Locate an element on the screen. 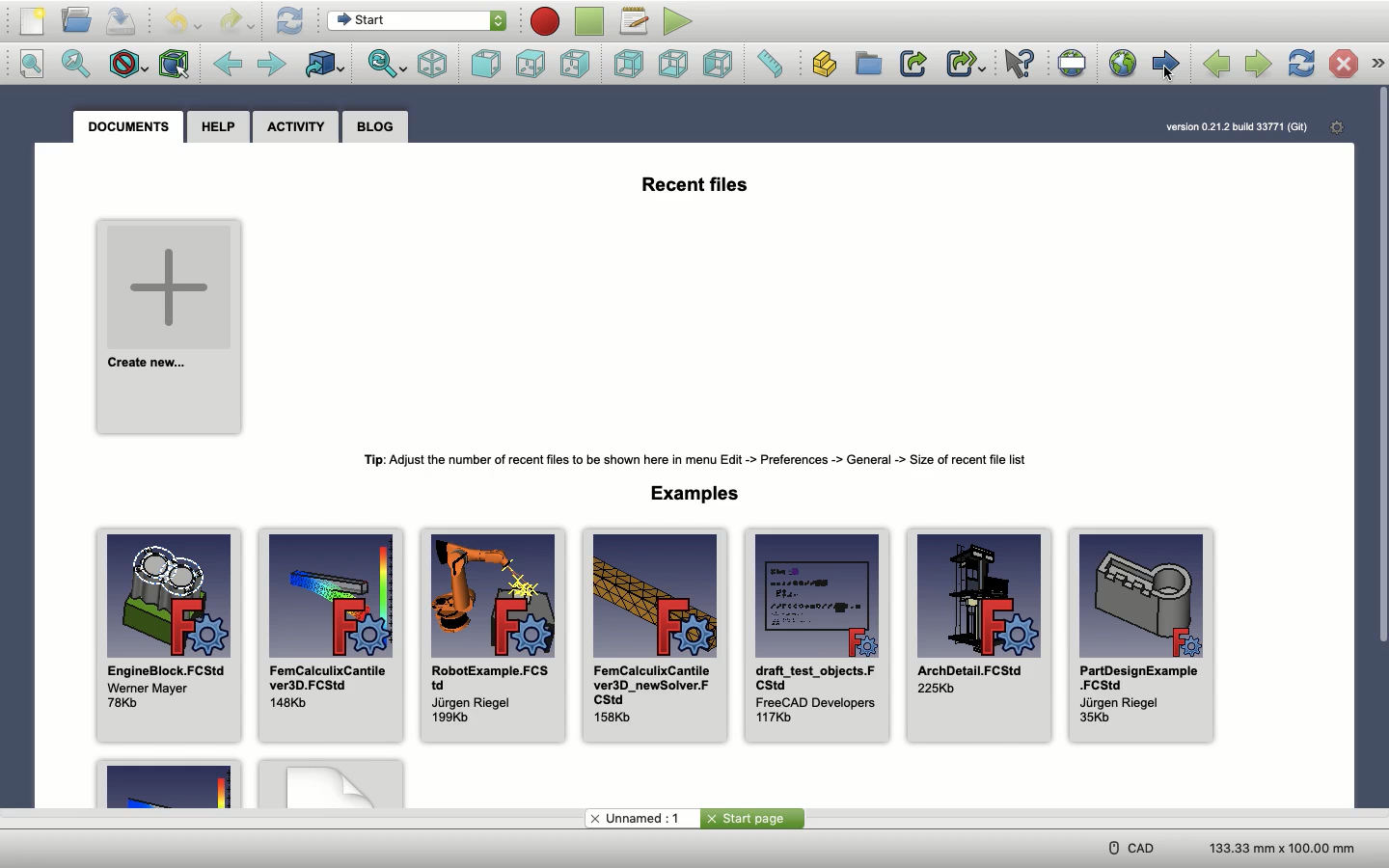  unnamed: 1 is located at coordinates (642, 819).